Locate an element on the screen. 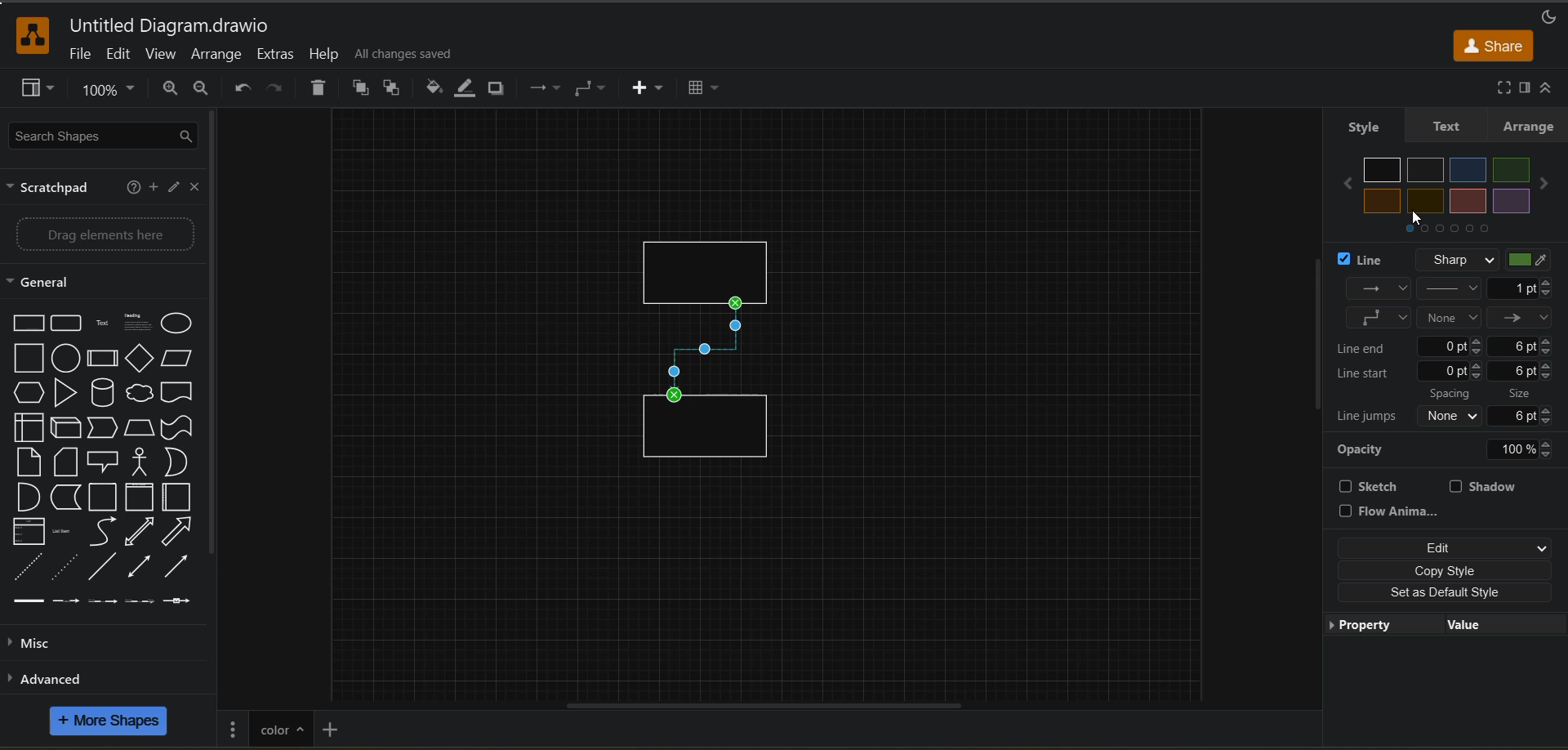 This screenshot has width=1568, height=750. extras is located at coordinates (278, 55).